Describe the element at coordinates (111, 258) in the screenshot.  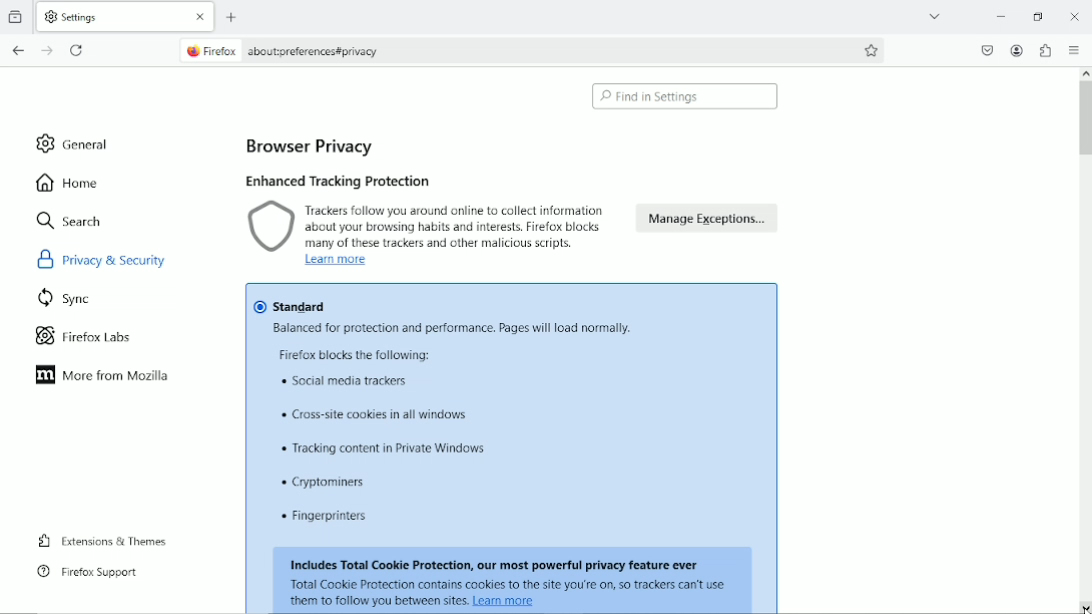
I see `privacy & security` at that location.